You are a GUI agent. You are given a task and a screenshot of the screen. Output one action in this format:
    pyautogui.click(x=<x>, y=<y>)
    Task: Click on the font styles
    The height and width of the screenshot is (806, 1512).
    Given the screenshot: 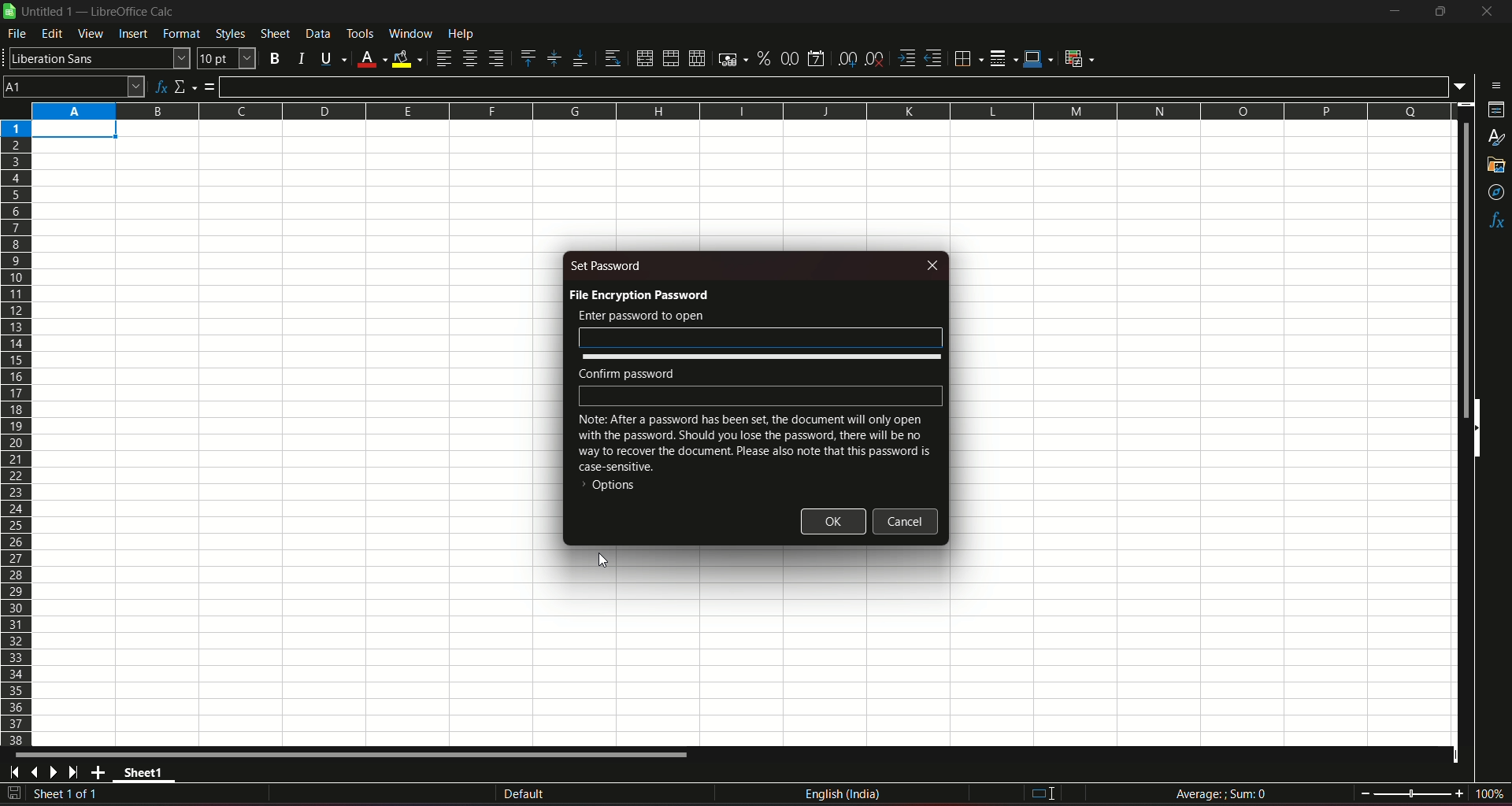 What is the action you would take?
    pyautogui.click(x=98, y=59)
    